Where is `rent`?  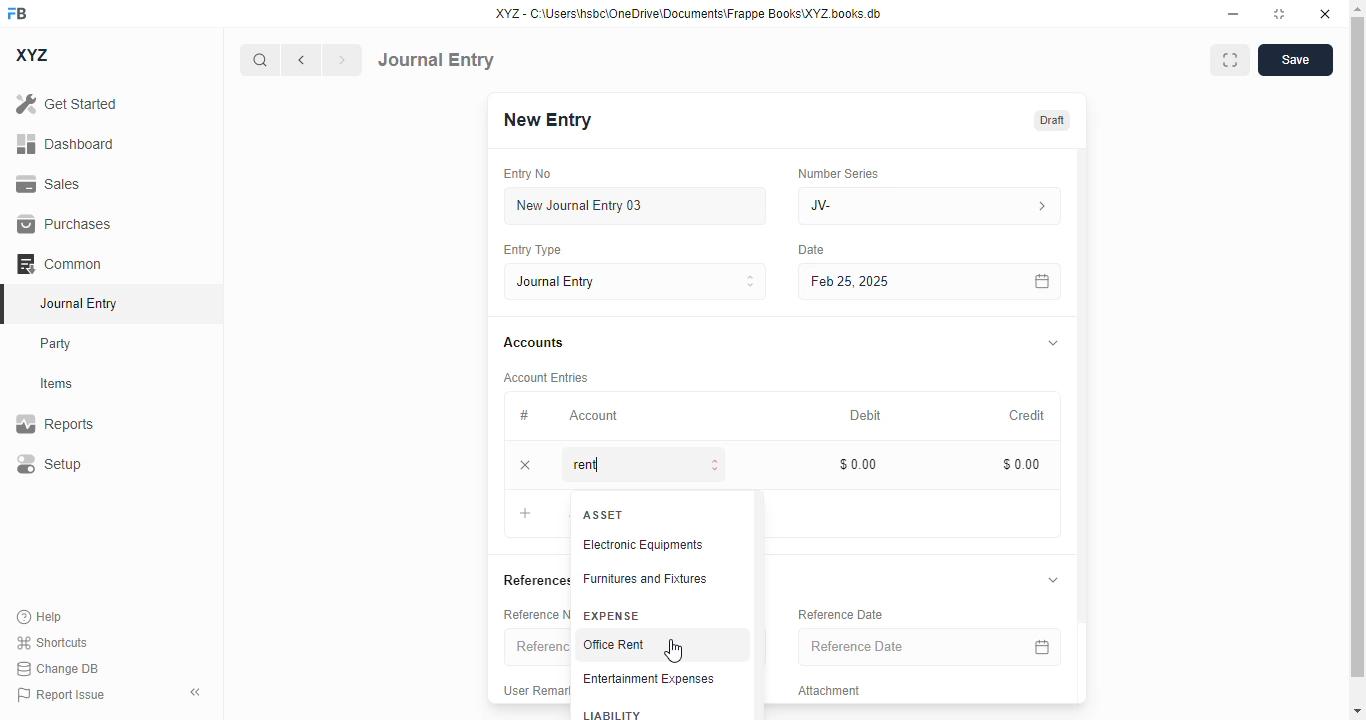
rent is located at coordinates (643, 465).